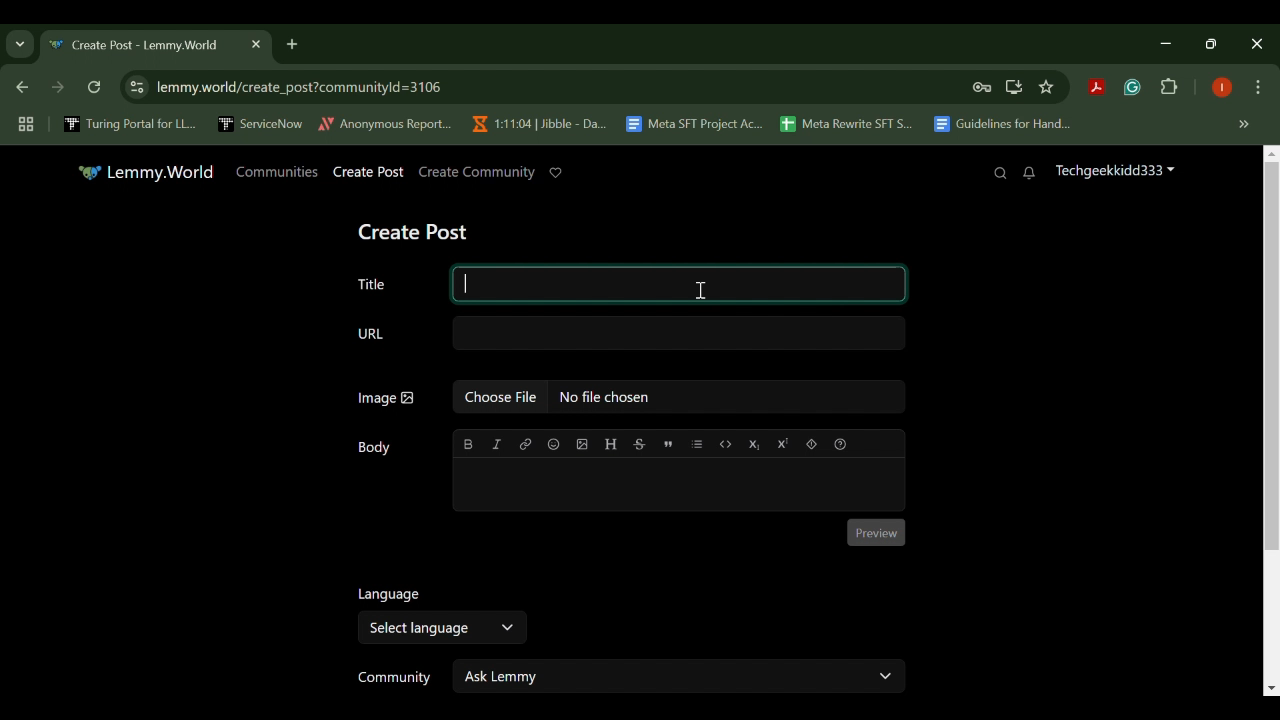 Image resolution: width=1280 pixels, height=720 pixels. I want to click on Previous Page Dropdown Menu, so click(20, 45).